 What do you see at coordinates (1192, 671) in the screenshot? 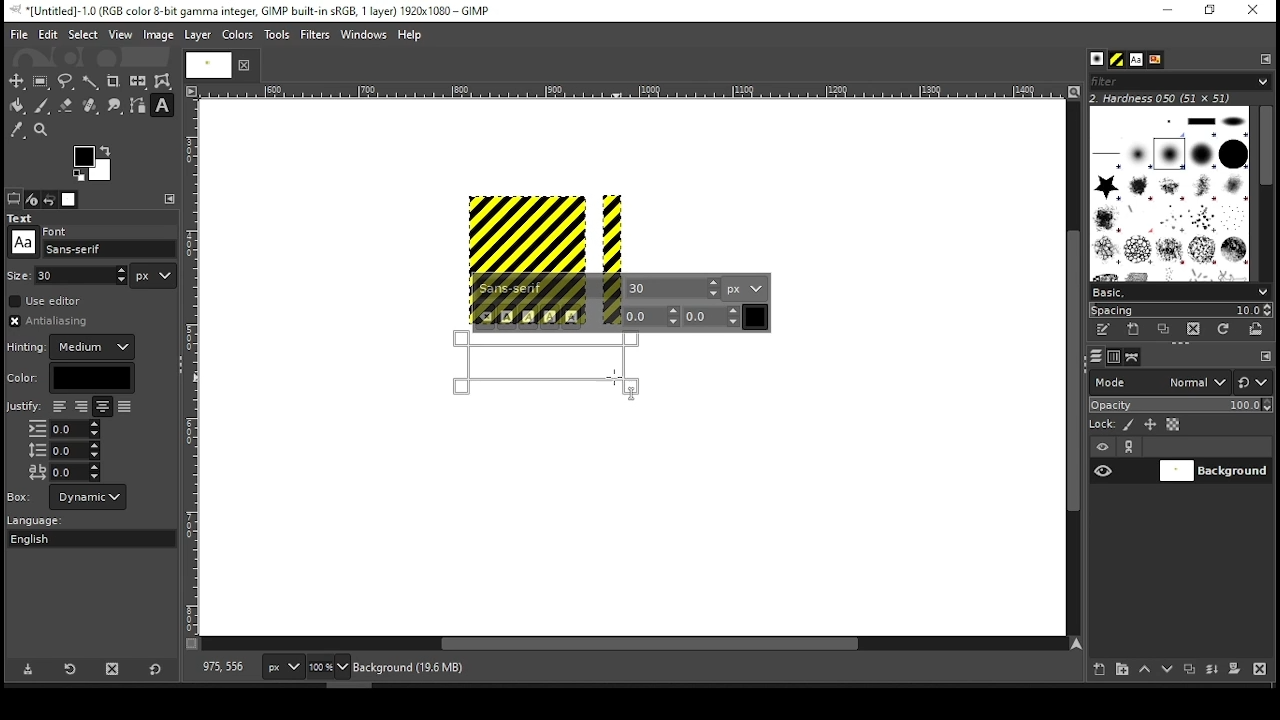
I see `duplicate layer` at bounding box center [1192, 671].